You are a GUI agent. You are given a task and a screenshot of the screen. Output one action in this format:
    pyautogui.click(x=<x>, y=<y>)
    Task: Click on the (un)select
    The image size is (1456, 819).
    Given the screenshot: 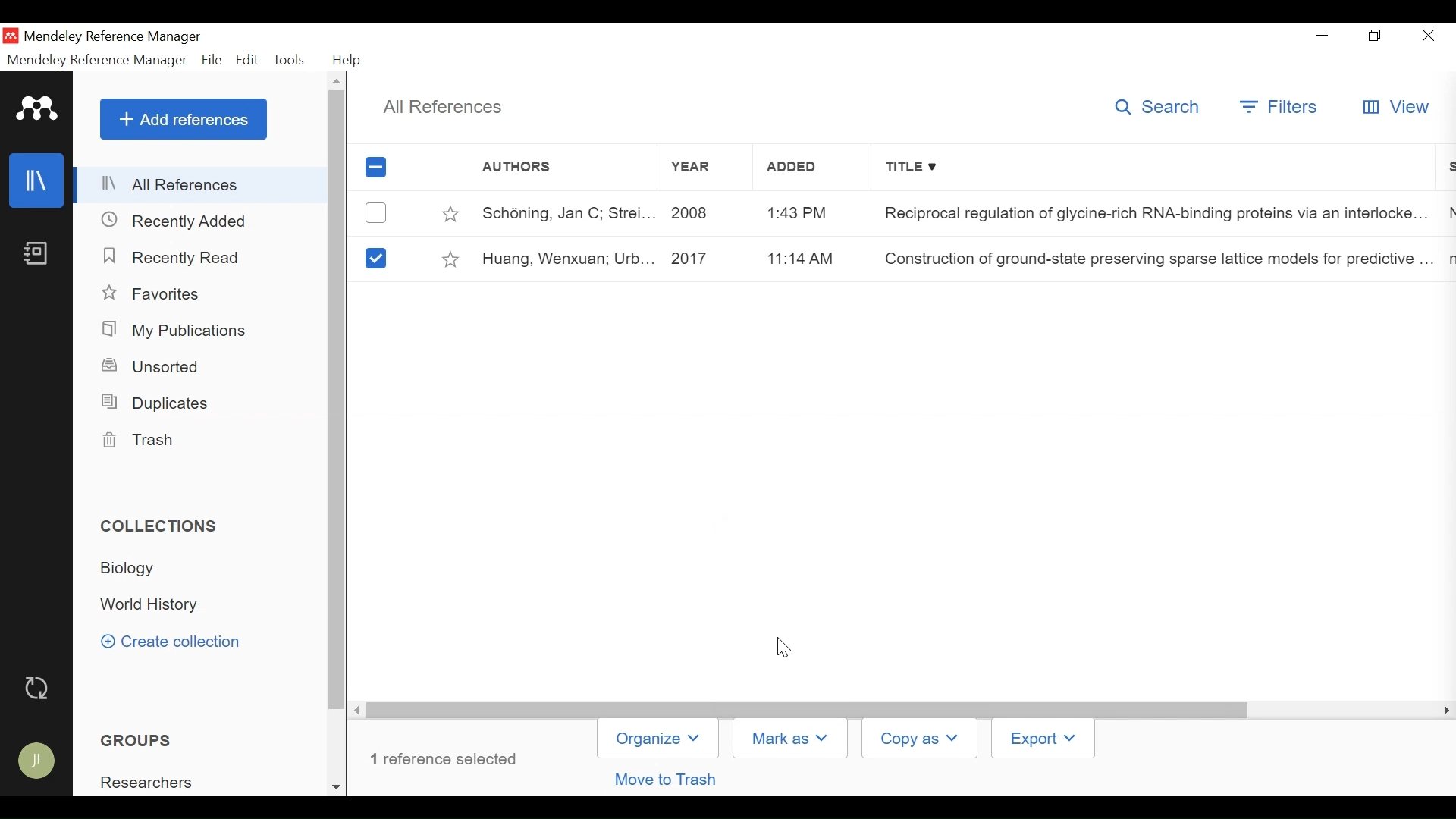 What is the action you would take?
    pyautogui.click(x=375, y=213)
    